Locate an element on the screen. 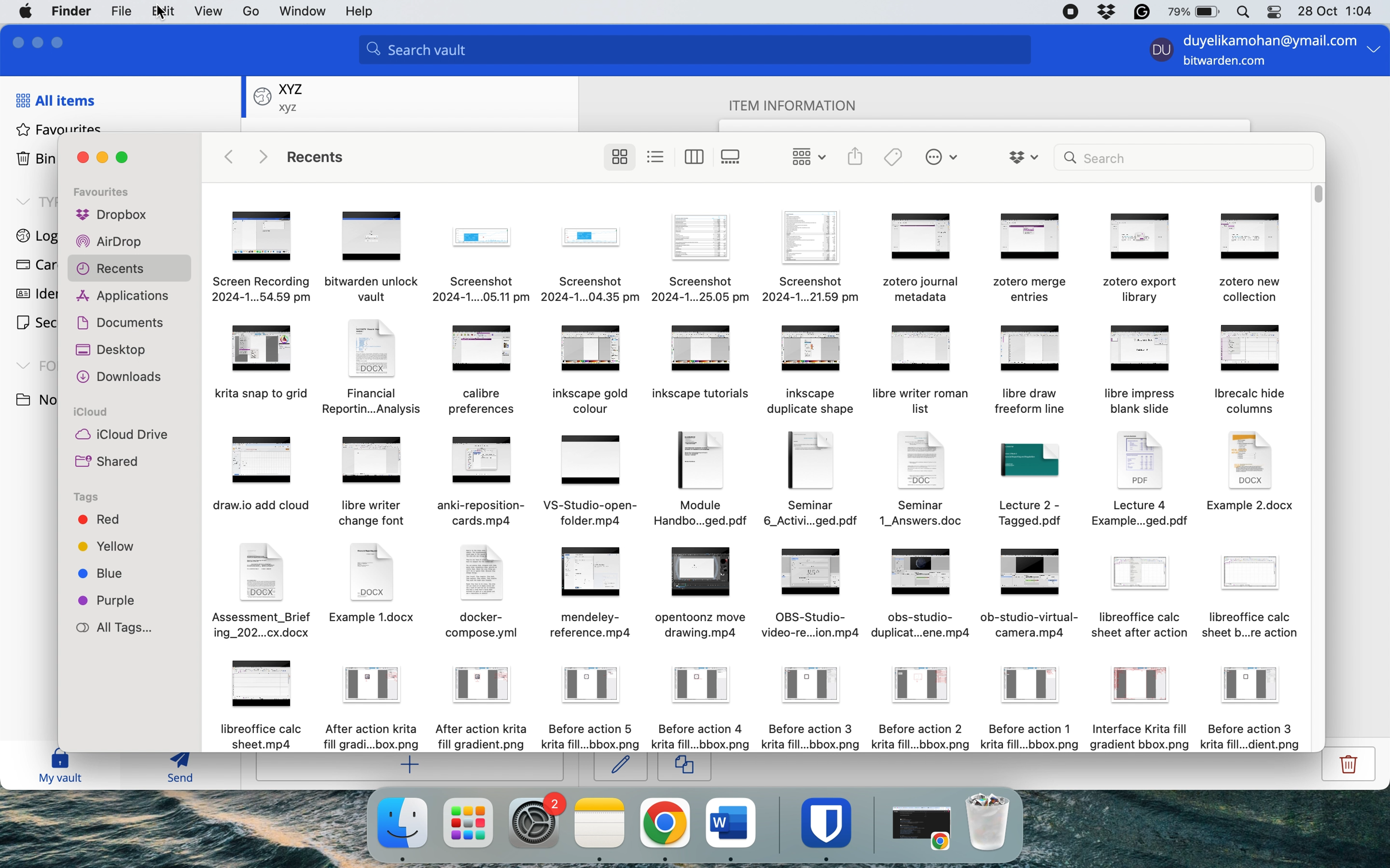 Image resolution: width=1390 pixels, height=868 pixels. all items is located at coordinates (55, 100).